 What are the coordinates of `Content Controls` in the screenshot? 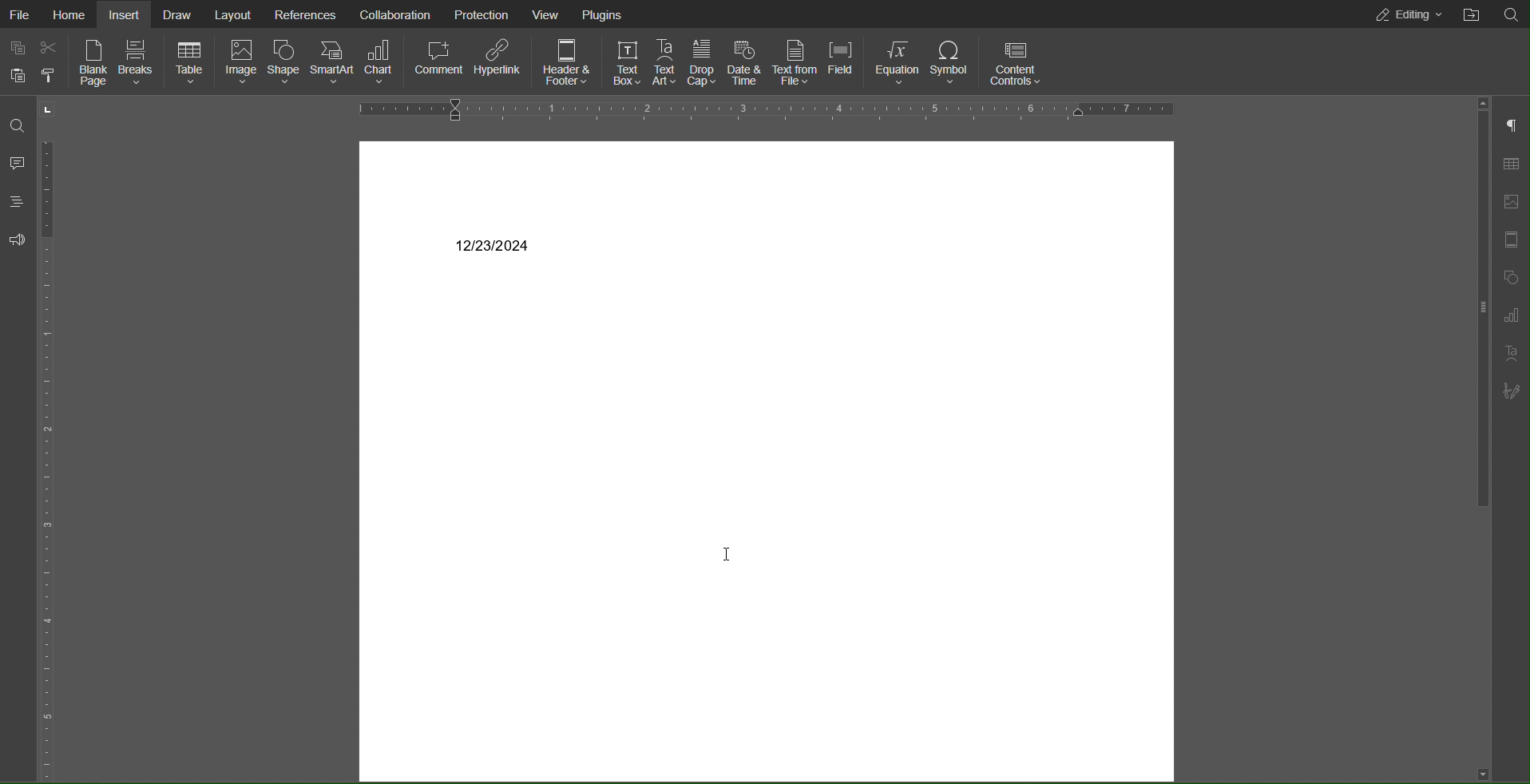 It's located at (1015, 64).